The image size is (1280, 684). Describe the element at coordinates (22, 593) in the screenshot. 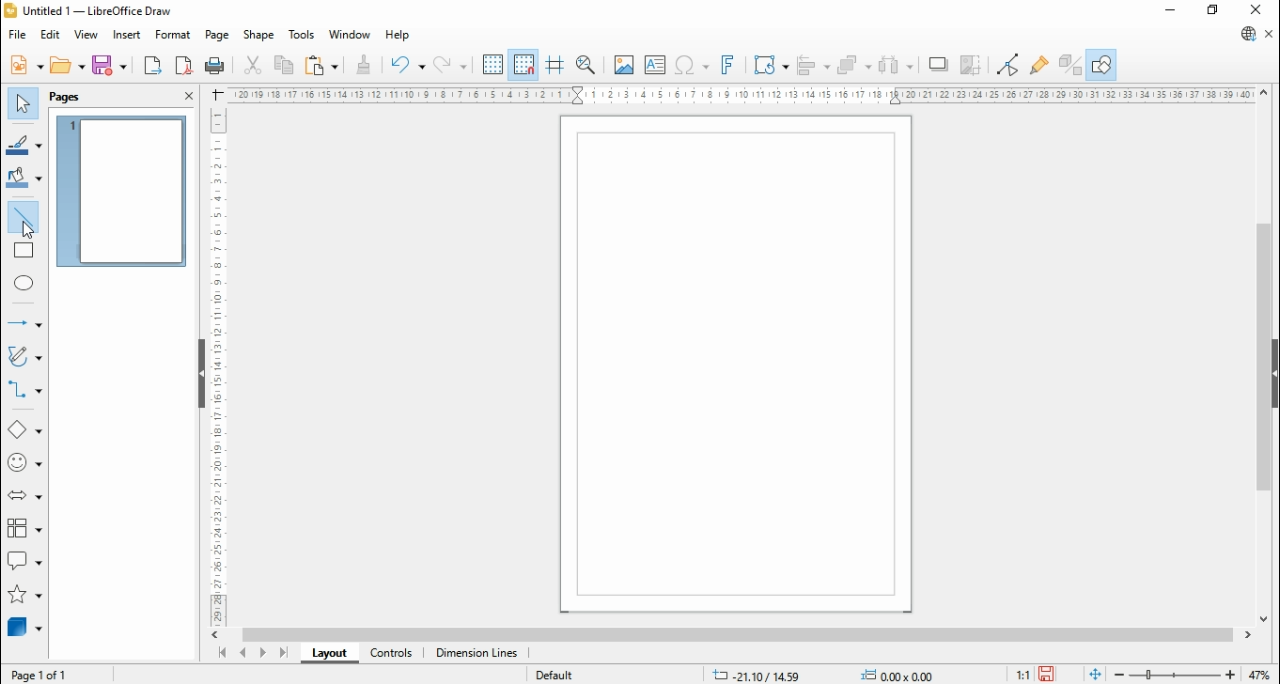

I see `stars and banners` at that location.